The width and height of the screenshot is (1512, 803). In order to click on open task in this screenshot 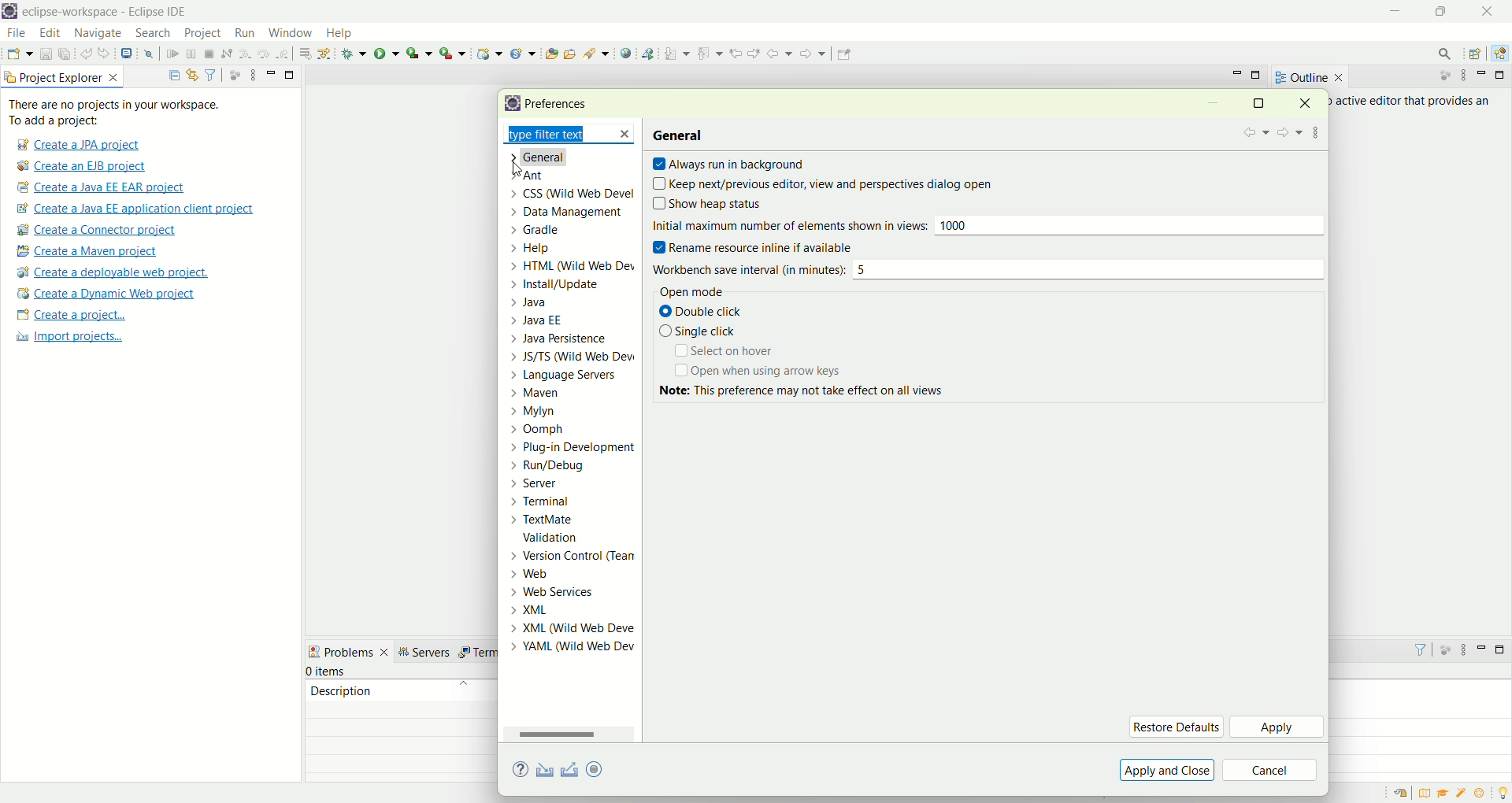, I will do `click(569, 52)`.